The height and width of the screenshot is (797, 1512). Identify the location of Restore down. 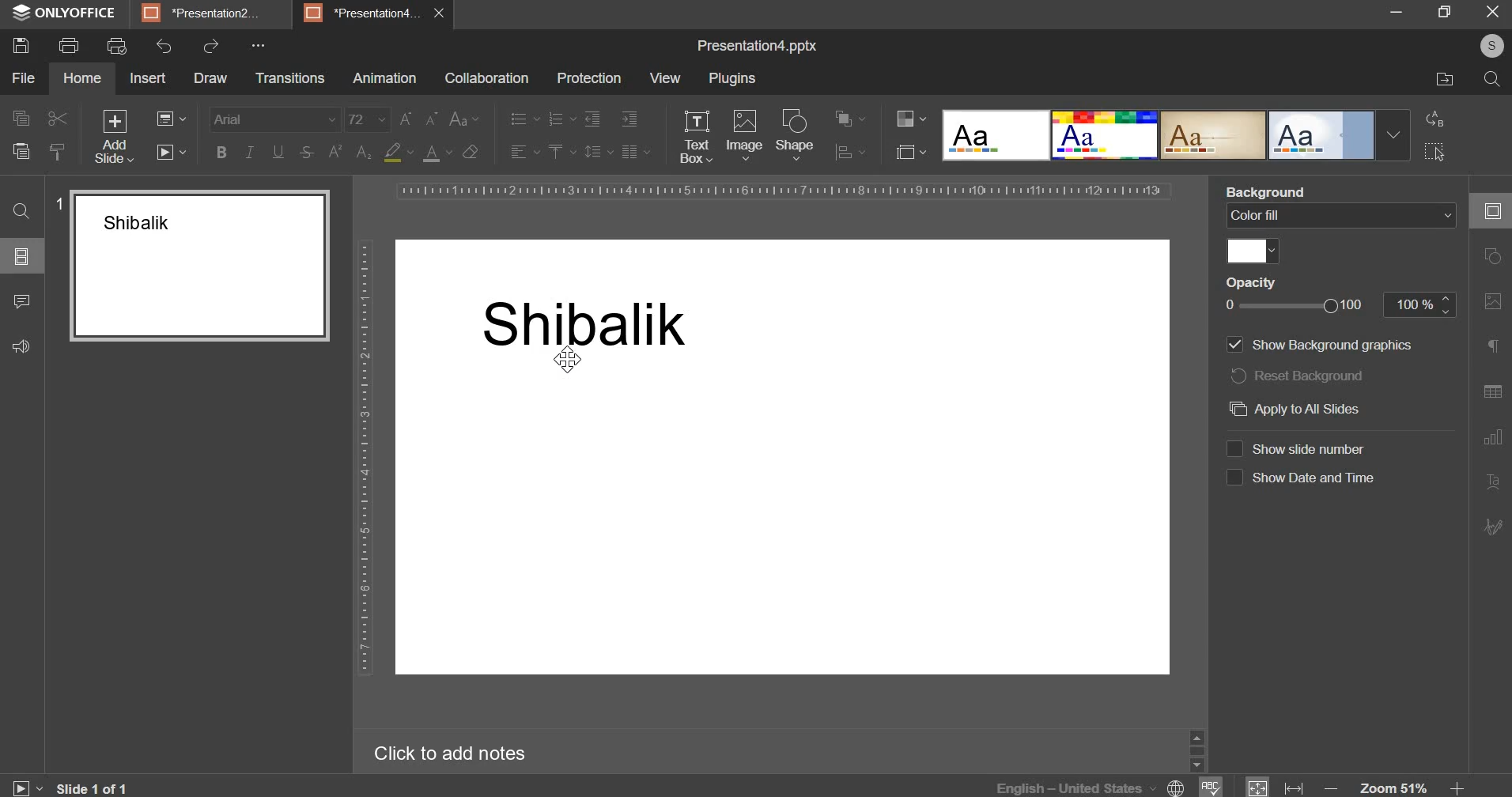
(1397, 12).